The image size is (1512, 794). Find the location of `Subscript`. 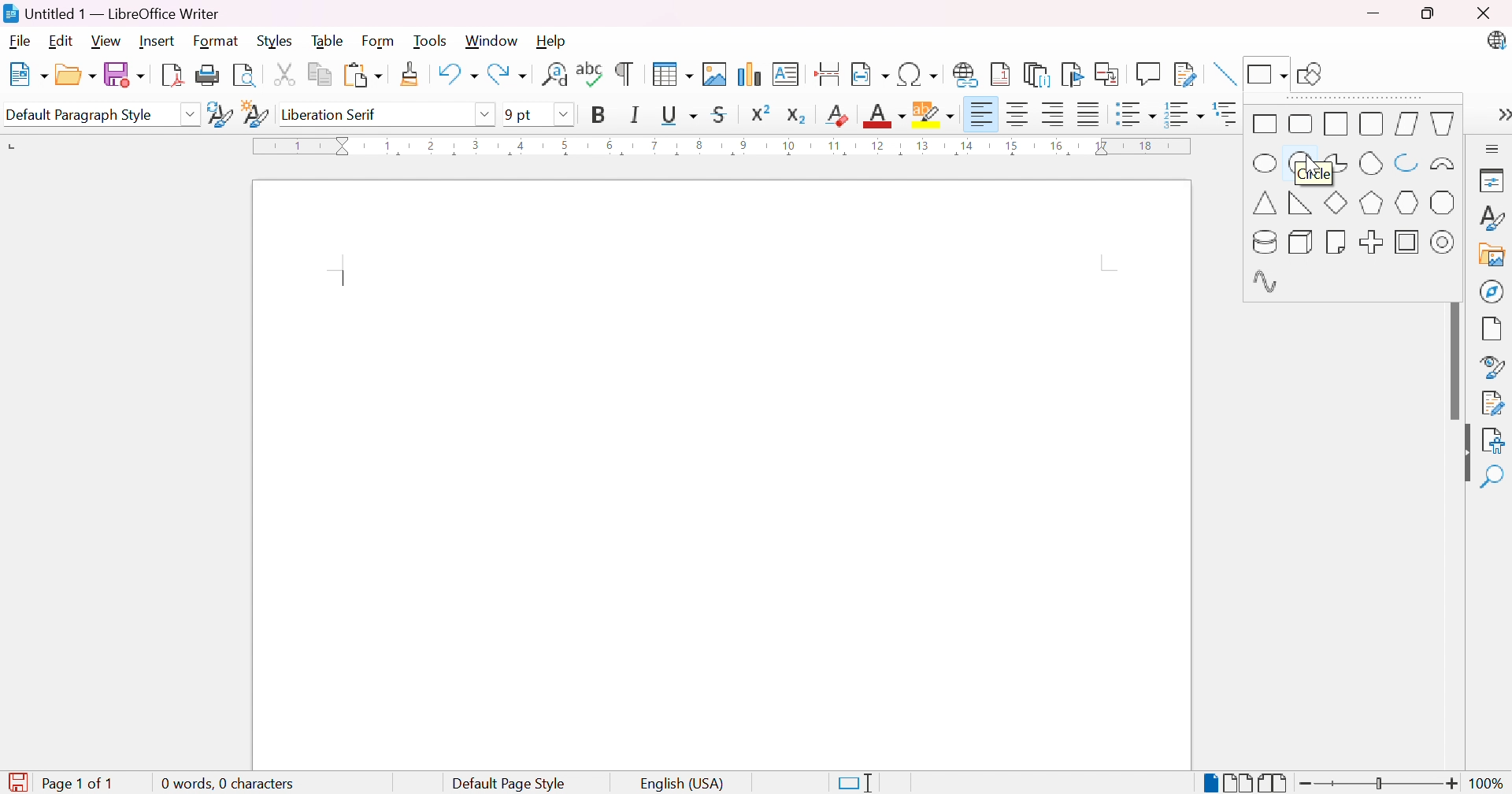

Subscript is located at coordinates (797, 116).